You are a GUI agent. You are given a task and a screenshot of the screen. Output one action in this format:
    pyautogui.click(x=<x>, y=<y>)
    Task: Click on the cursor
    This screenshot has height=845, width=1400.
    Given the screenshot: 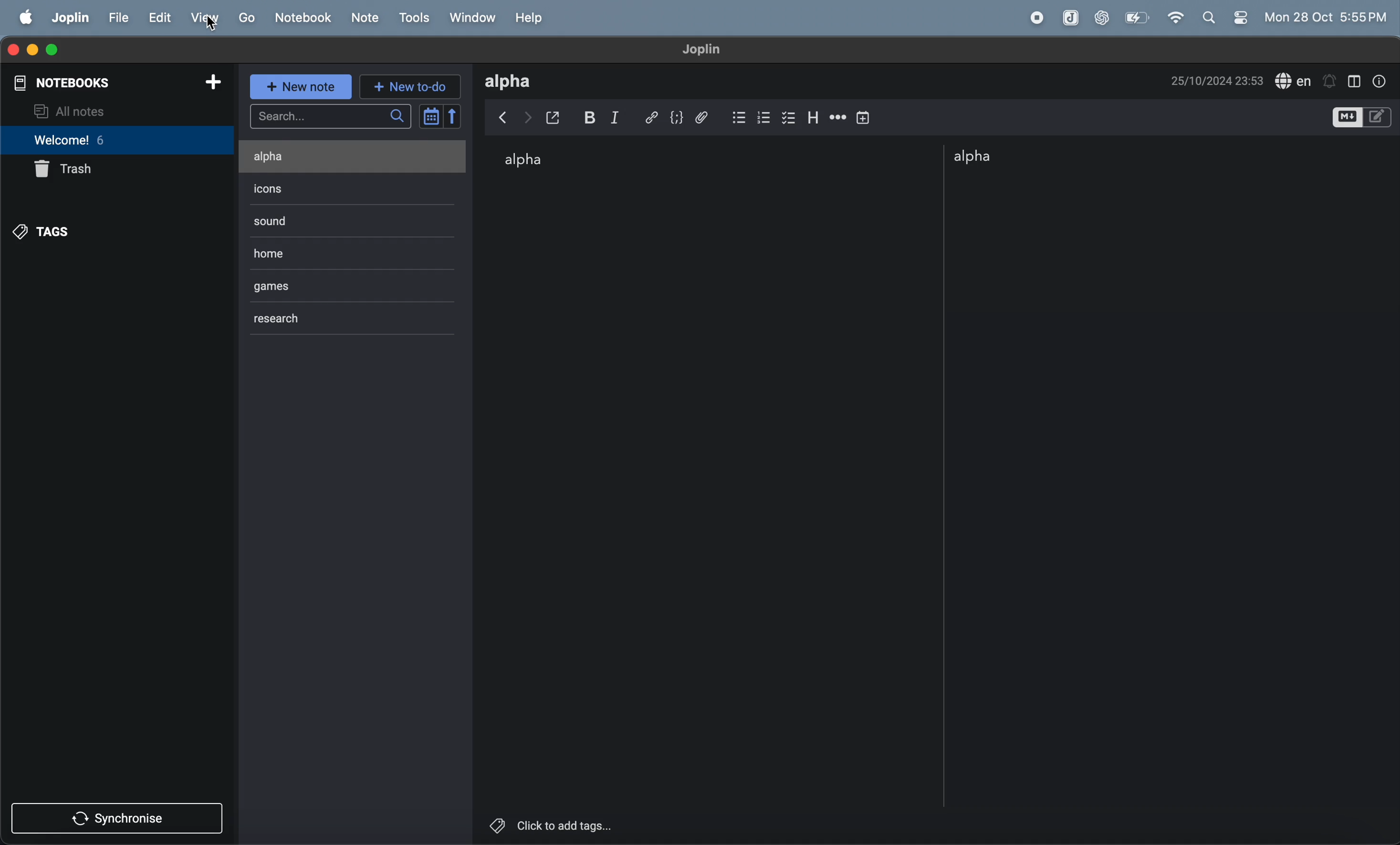 What is the action you would take?
    pyautogui.click(x=210, y=26)
    